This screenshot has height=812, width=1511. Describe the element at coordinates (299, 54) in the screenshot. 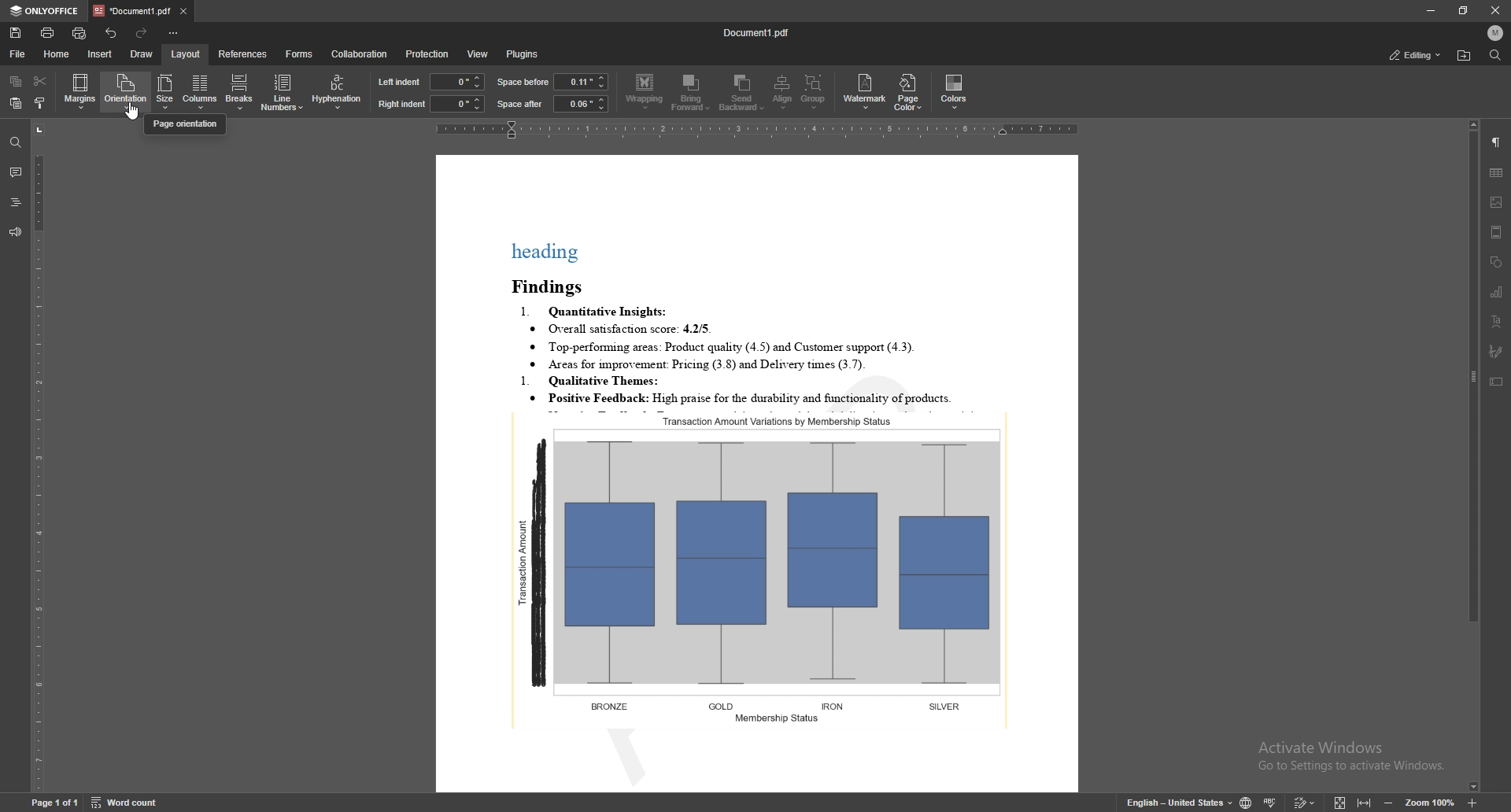

I see `forms` at that location.